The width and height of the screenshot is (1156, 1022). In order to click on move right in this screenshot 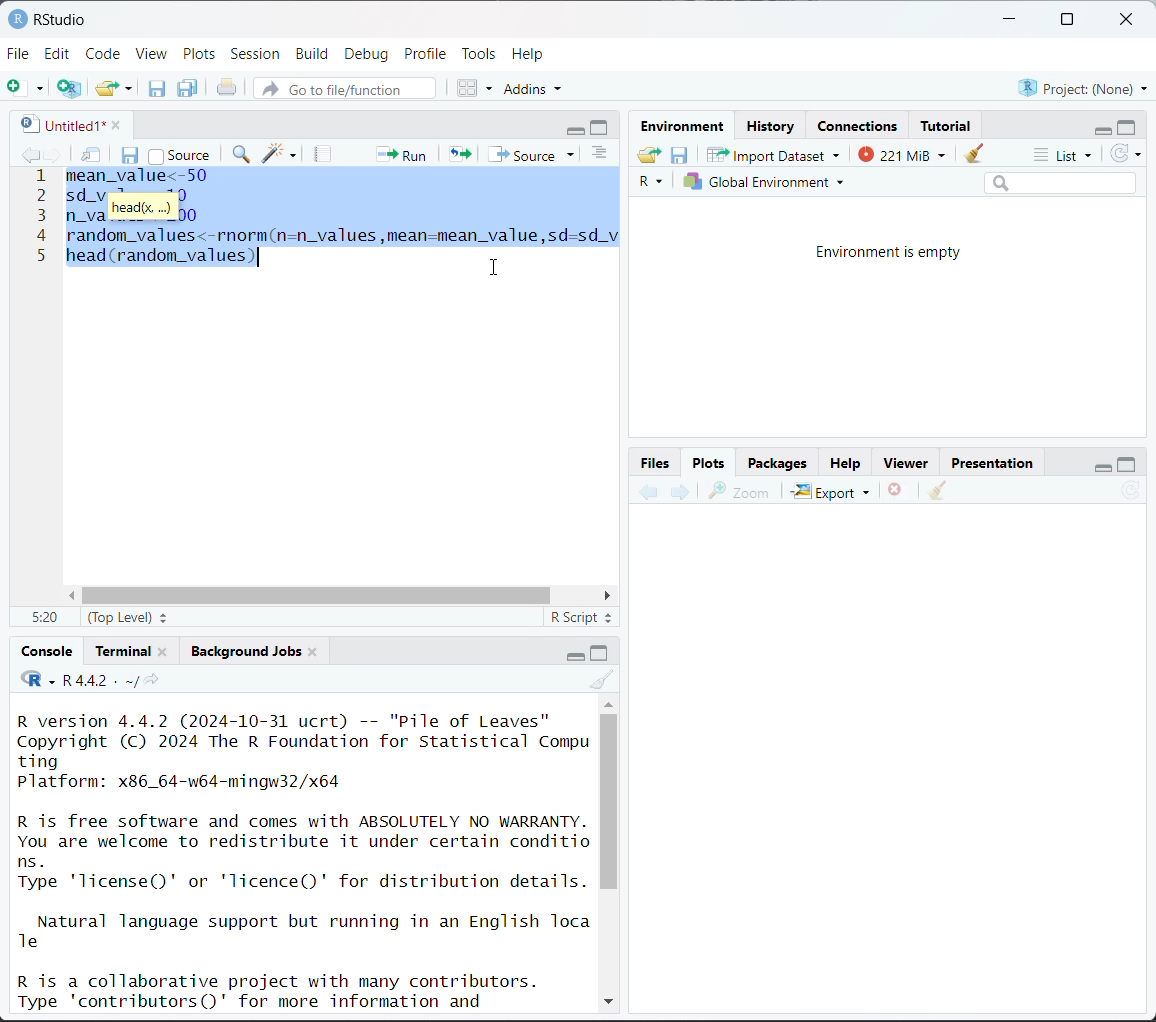, I will do `click(606, 596)`.